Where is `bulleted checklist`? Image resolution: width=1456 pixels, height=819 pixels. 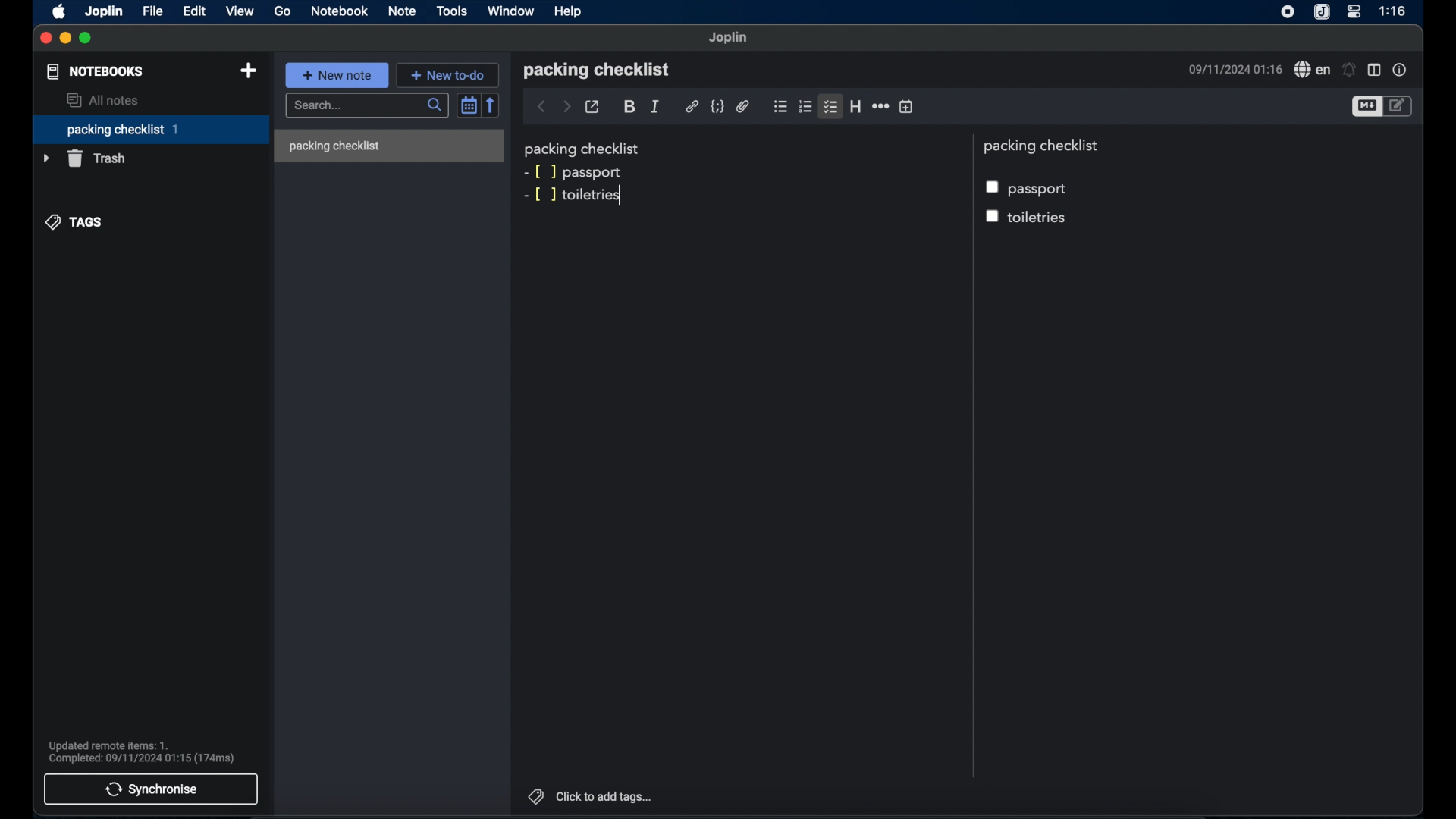
bulleted checklist is located at coordinates (780, 108).